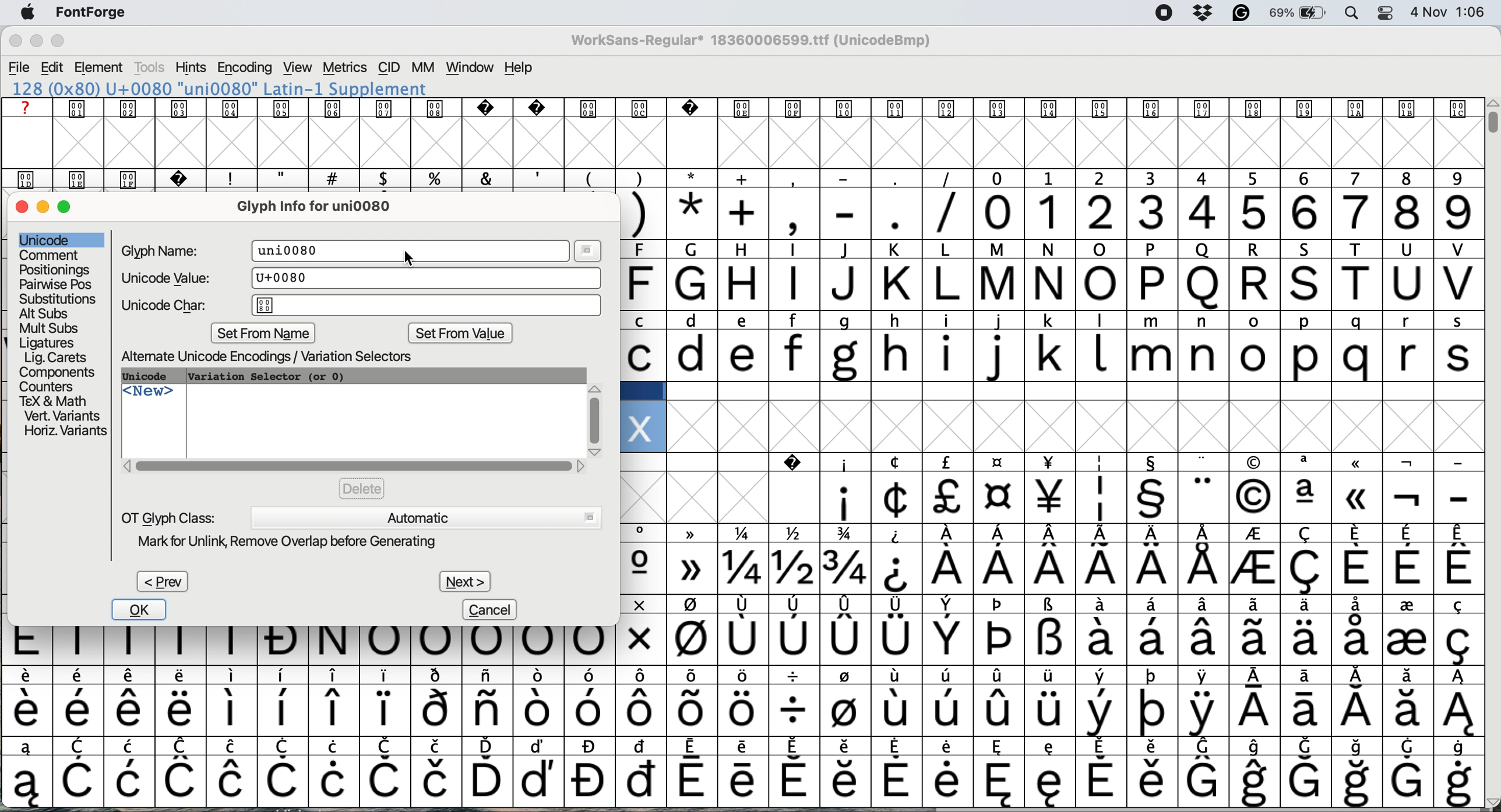 This screenshot has height=812, width=1501. Describe the element at coordinates (1052, 321) in the screenshot. I see `lower case and upper case text and special characters` at that location.